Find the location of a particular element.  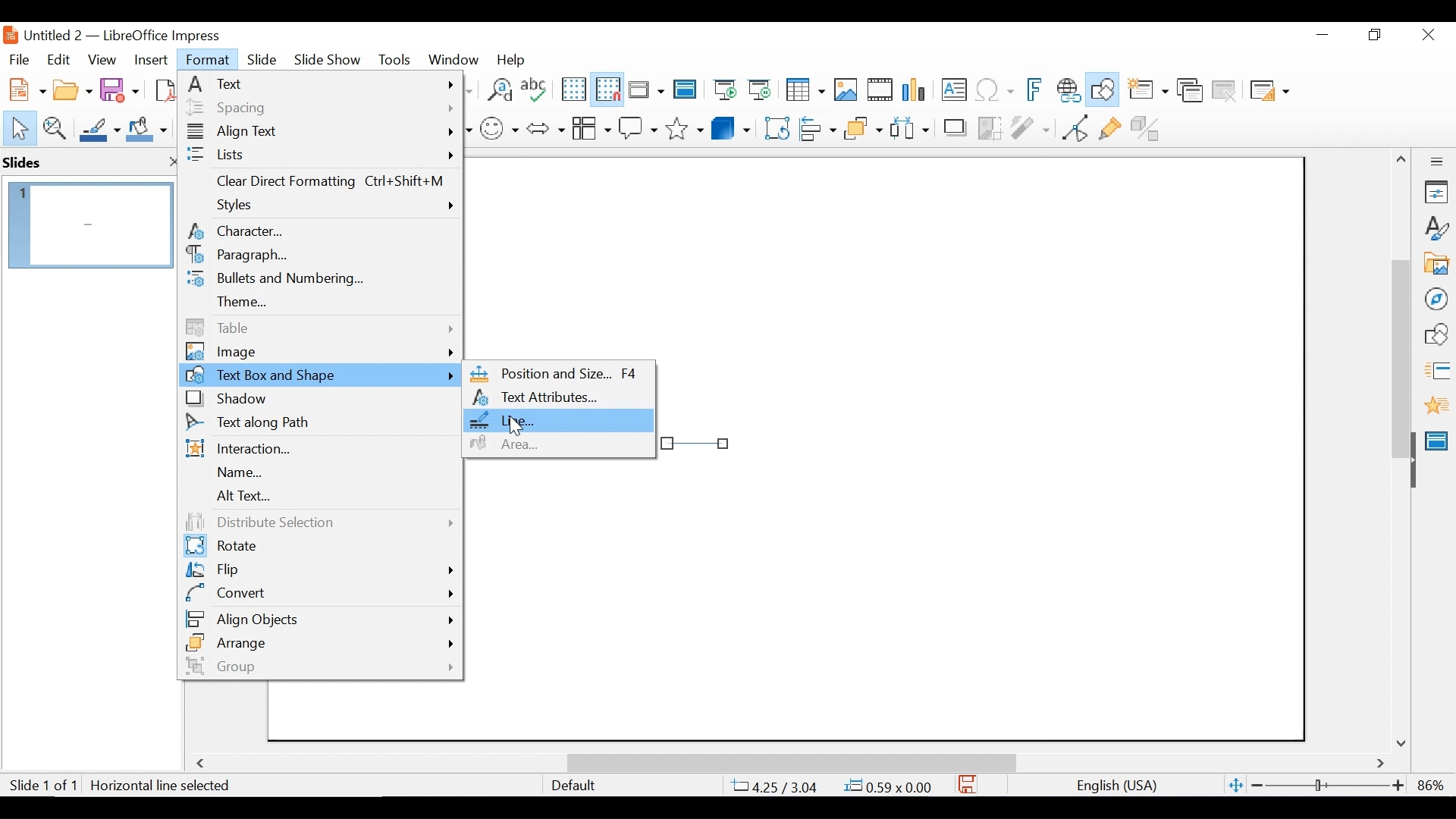

Show Draw Functions is located at coordinates (1104, 90).